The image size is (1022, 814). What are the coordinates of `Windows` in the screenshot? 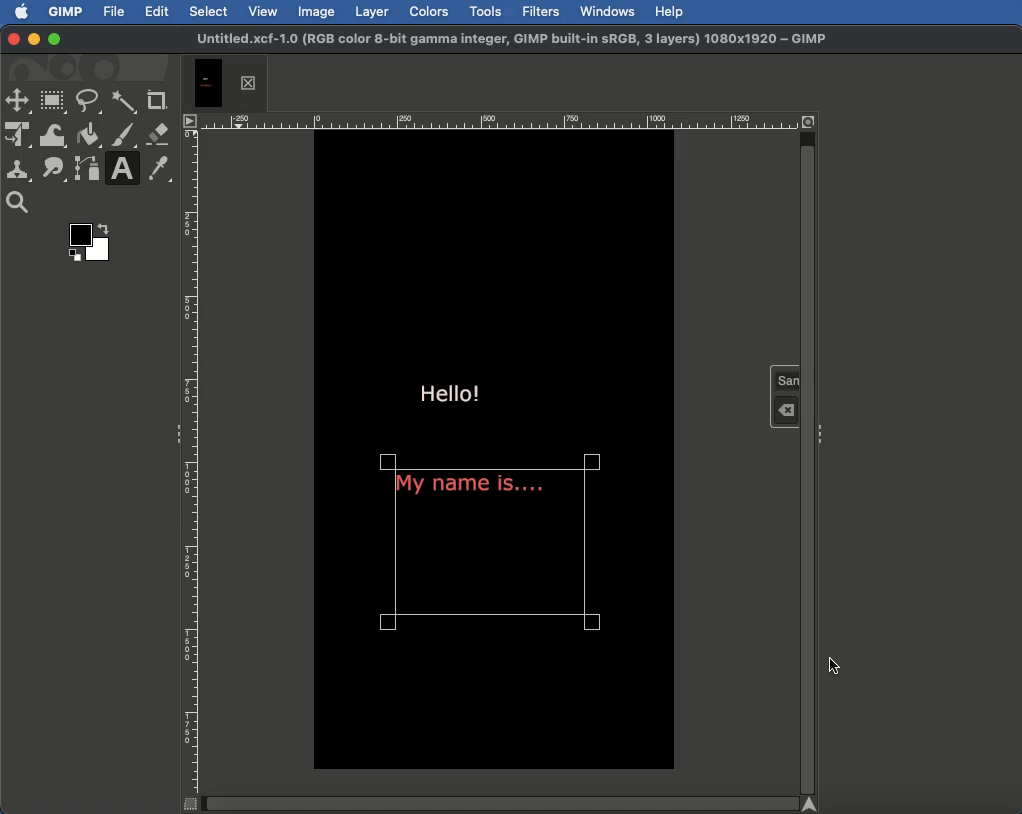 It's located at (608, 12).